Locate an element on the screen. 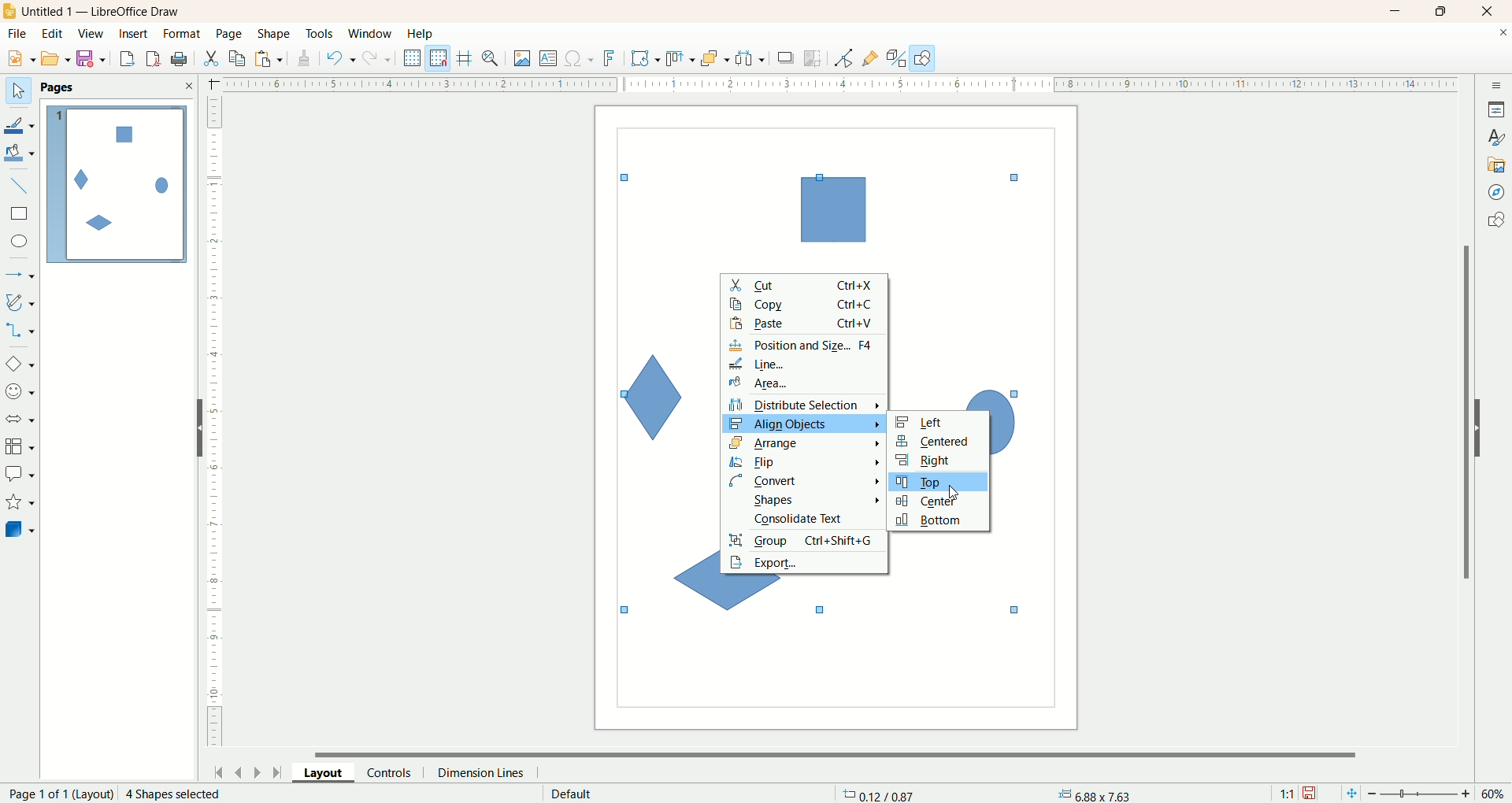 This screenshot has height=803, width=1512. consolidate is located at coordinates (805, 517).